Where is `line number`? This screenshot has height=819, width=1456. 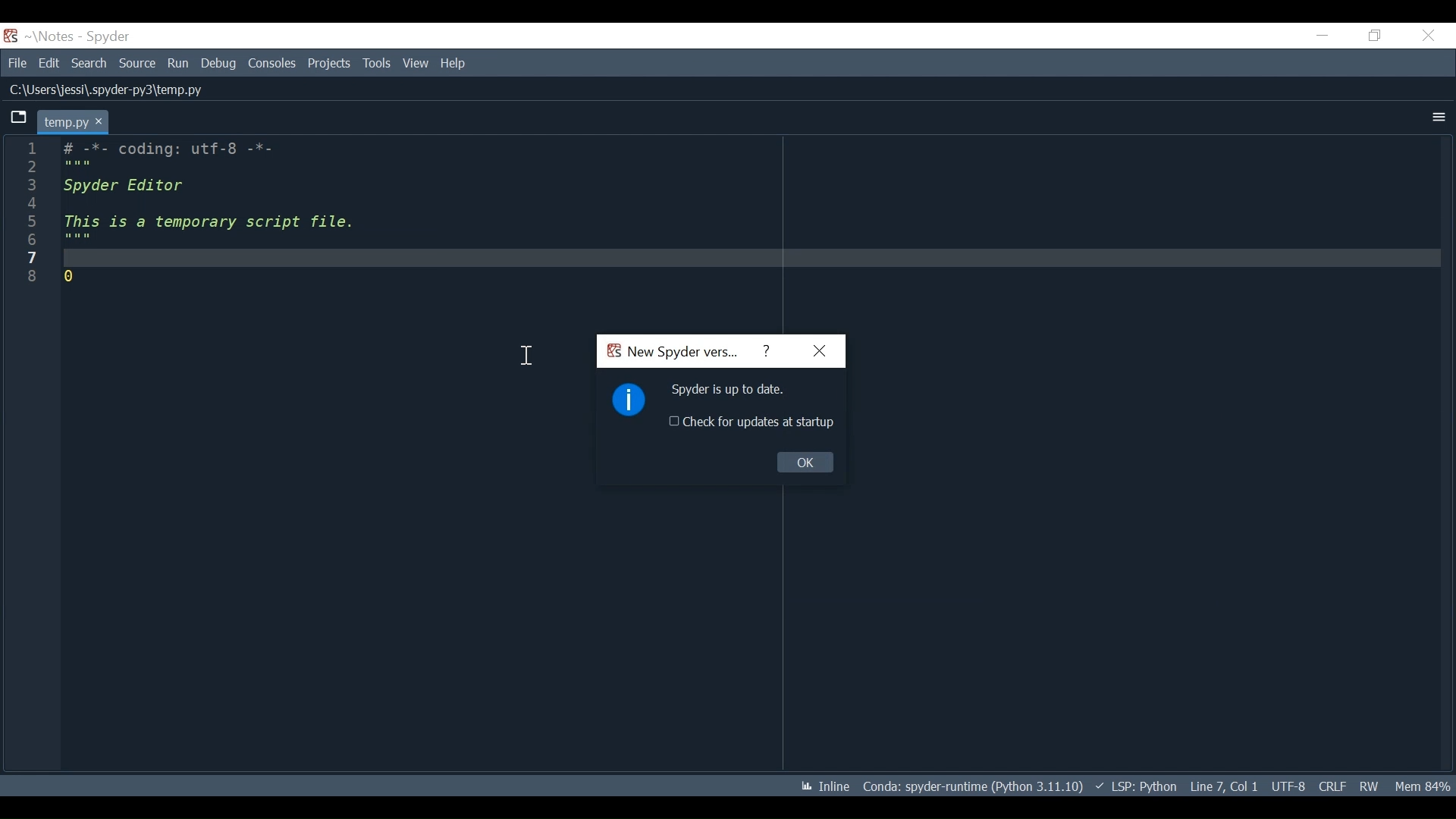 line number is located at coordinates (31, 212).